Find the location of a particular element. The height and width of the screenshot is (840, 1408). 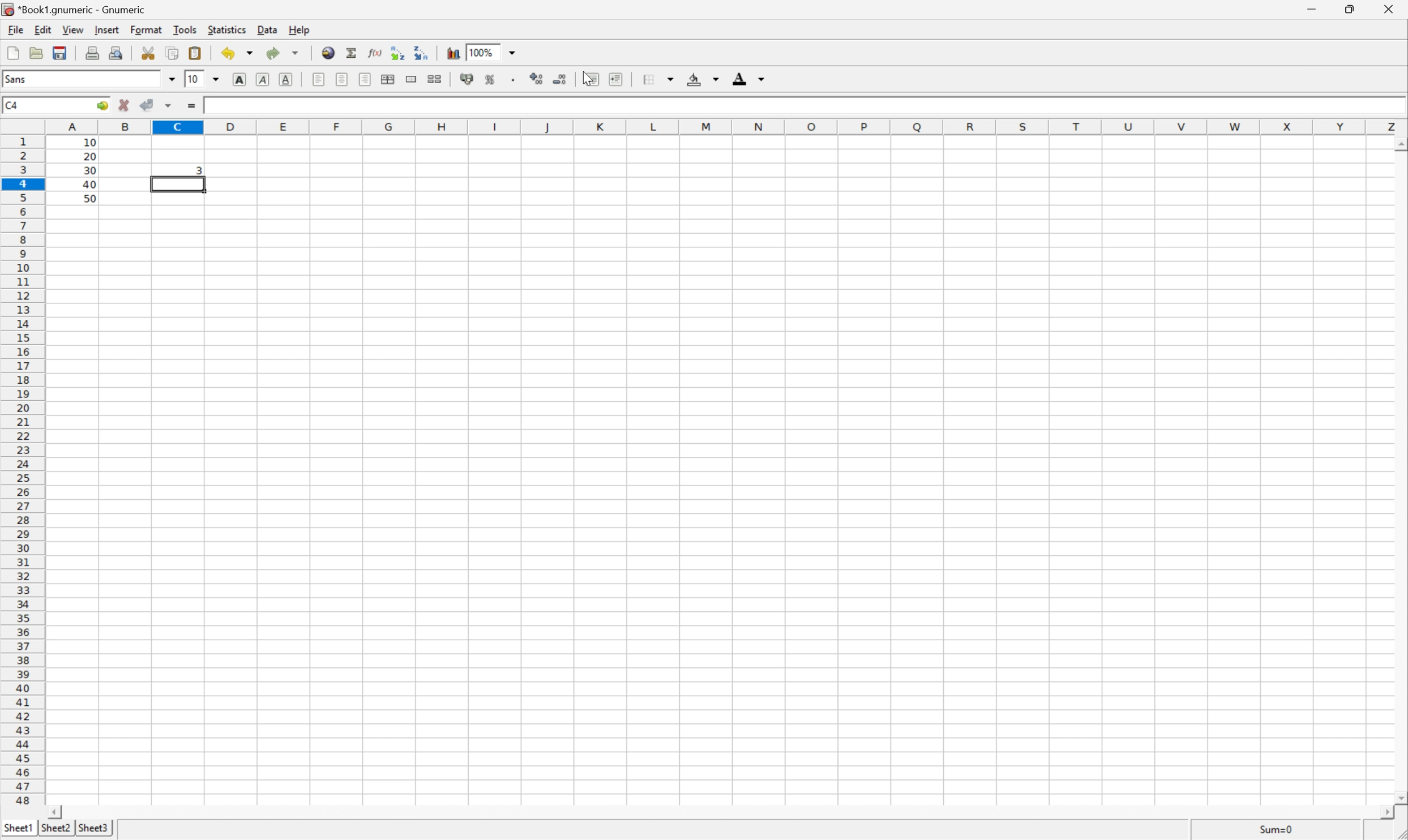

Format the selection as percentage is located at coordinates (490, 77).